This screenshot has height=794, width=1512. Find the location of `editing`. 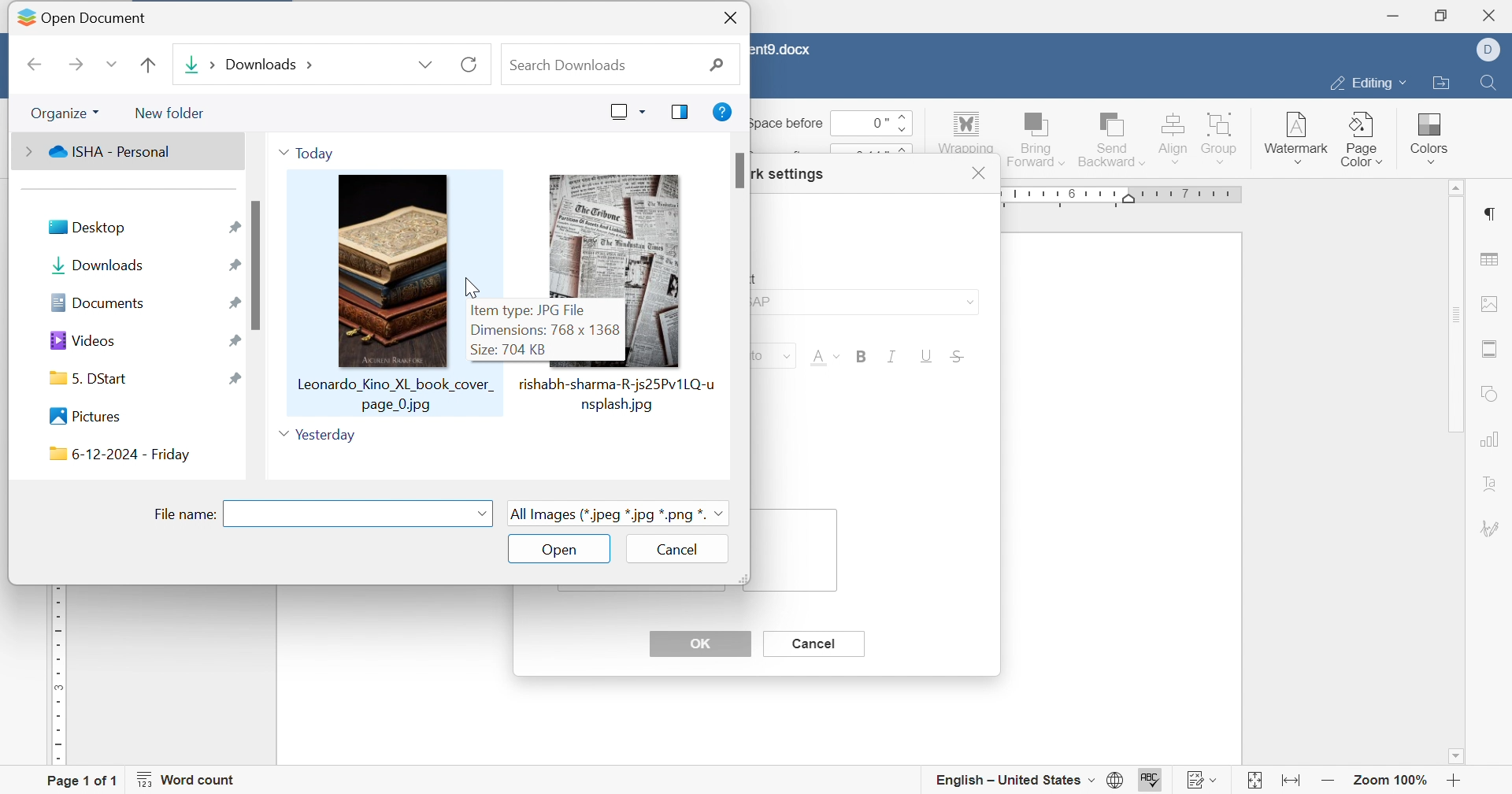

editing is located at coordinates (1365, 86).